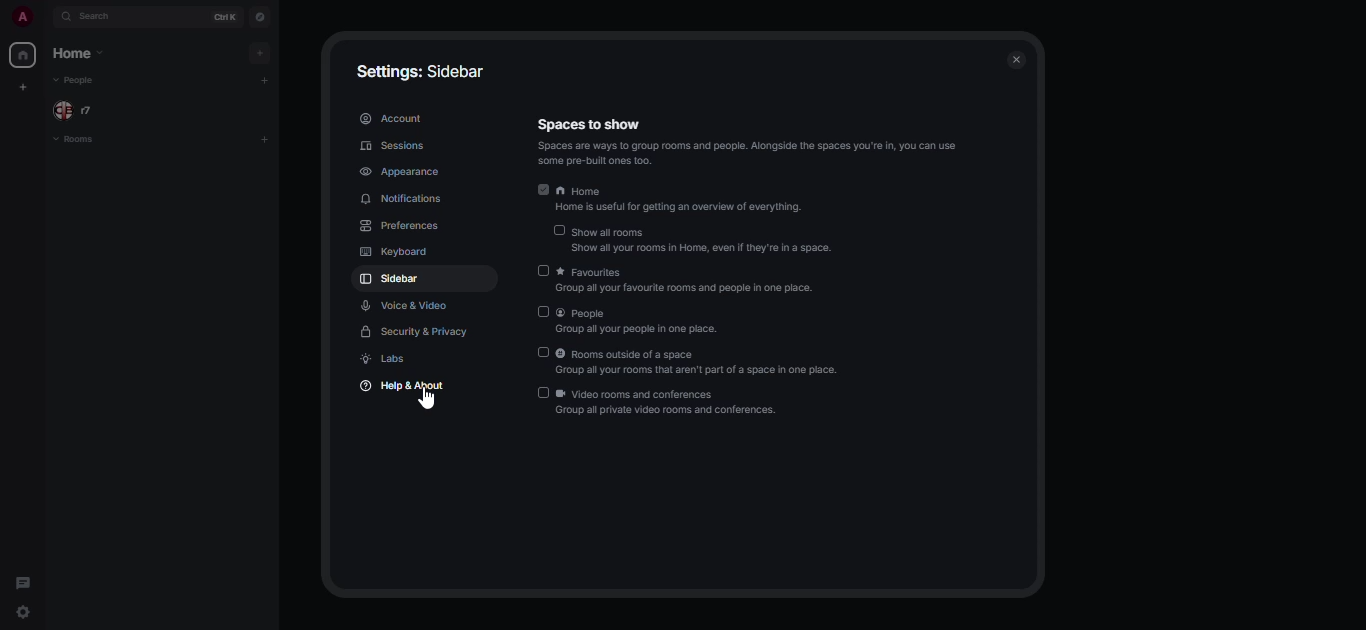 This screenshot has width=1366, height=630. What do you see at coordinates (262, 139) in the screenshot?
I see `add` at bounding box center [262, 139].